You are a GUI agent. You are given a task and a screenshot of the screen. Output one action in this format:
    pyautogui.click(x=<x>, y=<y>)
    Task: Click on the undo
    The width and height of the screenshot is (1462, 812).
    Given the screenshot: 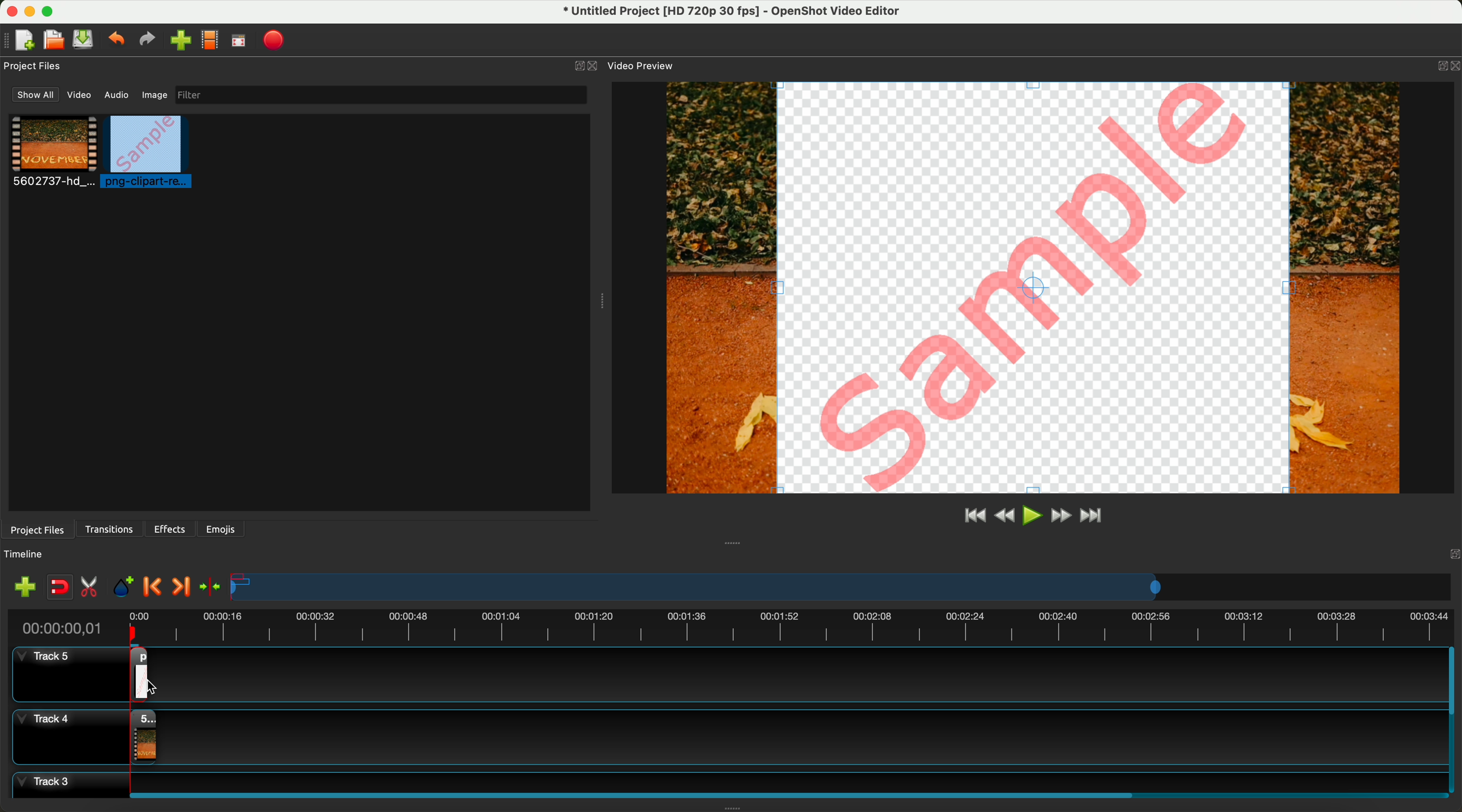 What is the action you would take?
    pyautogui.click(x=118, y=41)
    